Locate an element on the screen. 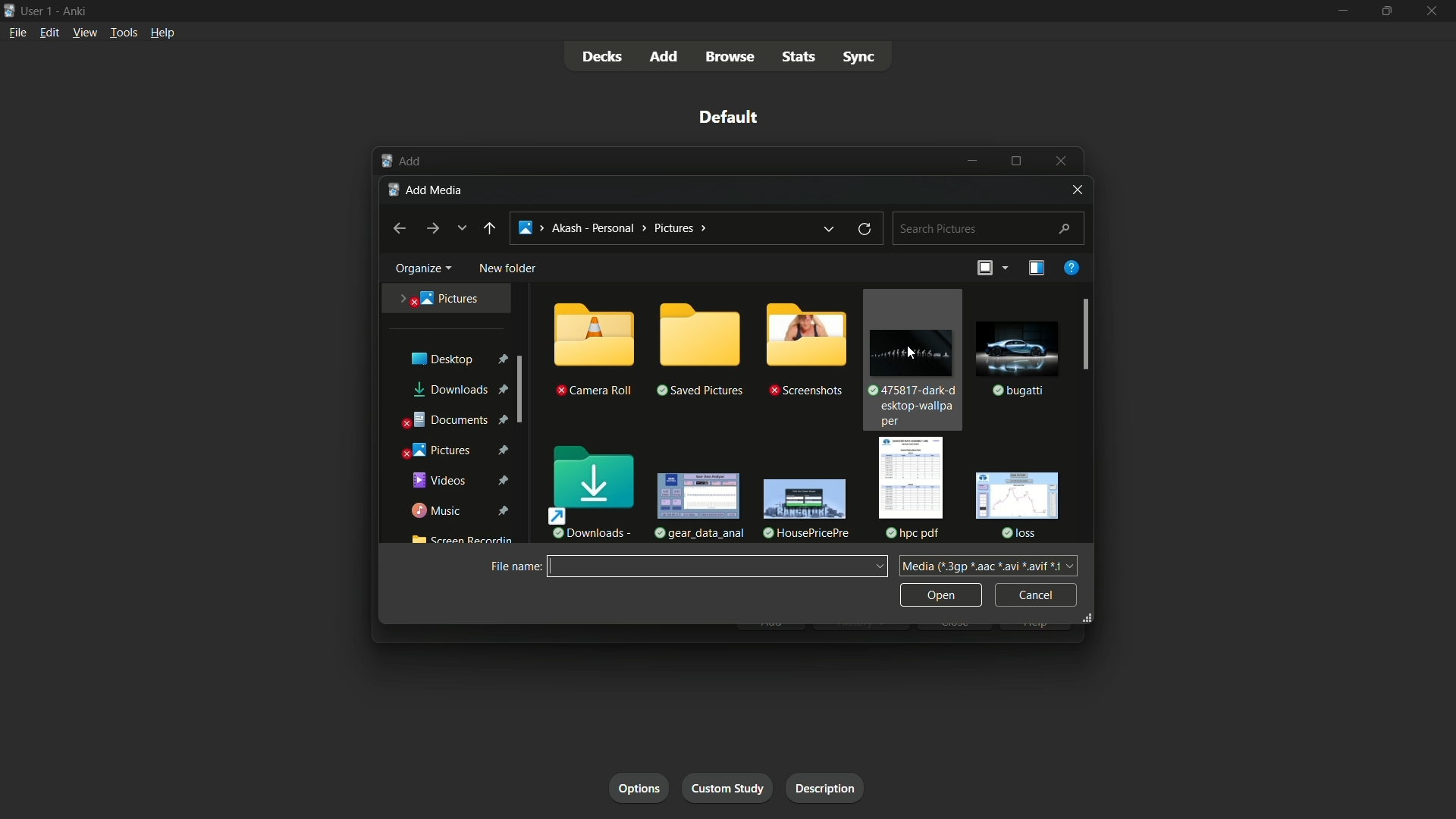  view menu is located at coordinates (84, 32).